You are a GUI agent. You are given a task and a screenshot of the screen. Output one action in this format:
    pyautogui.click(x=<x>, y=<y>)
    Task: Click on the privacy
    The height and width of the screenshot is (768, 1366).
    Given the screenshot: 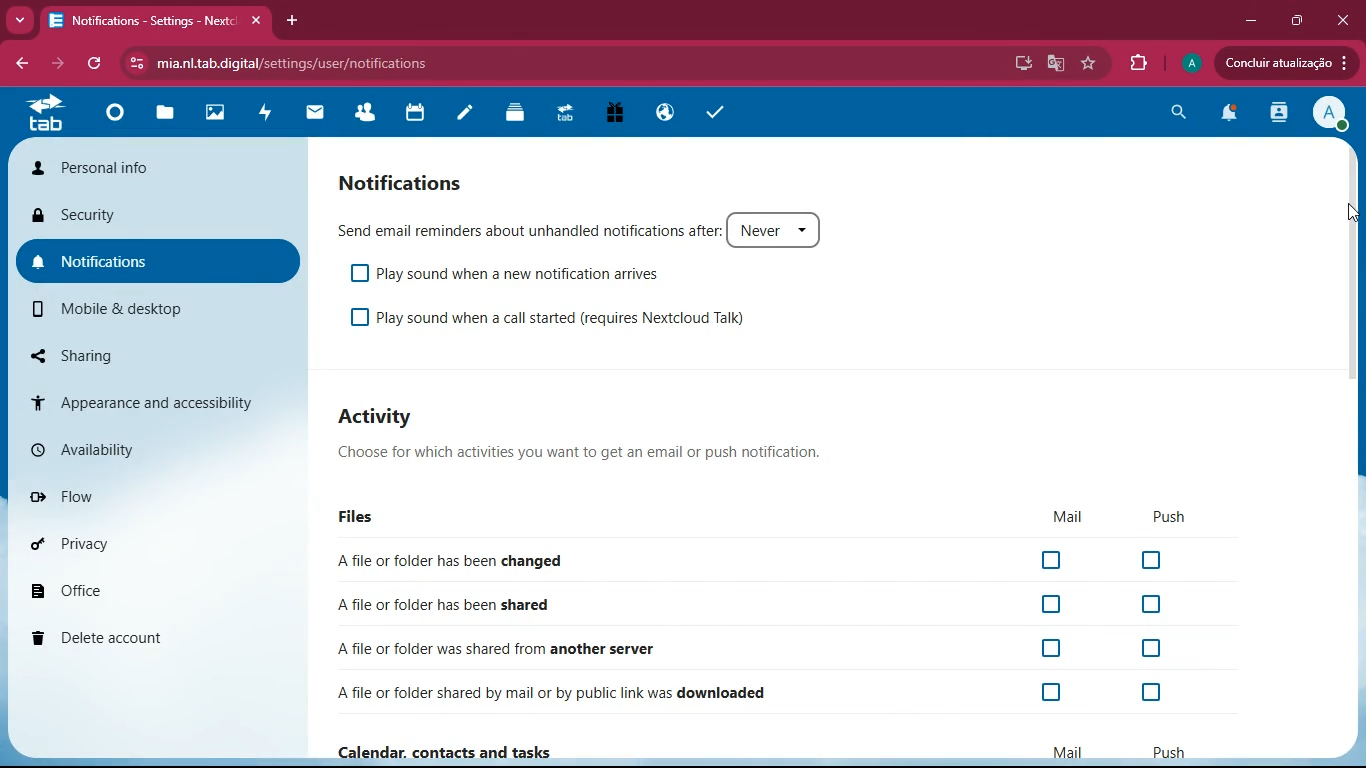 What is the action you would take?
    pyautogui.click(x=160, y=542)
    